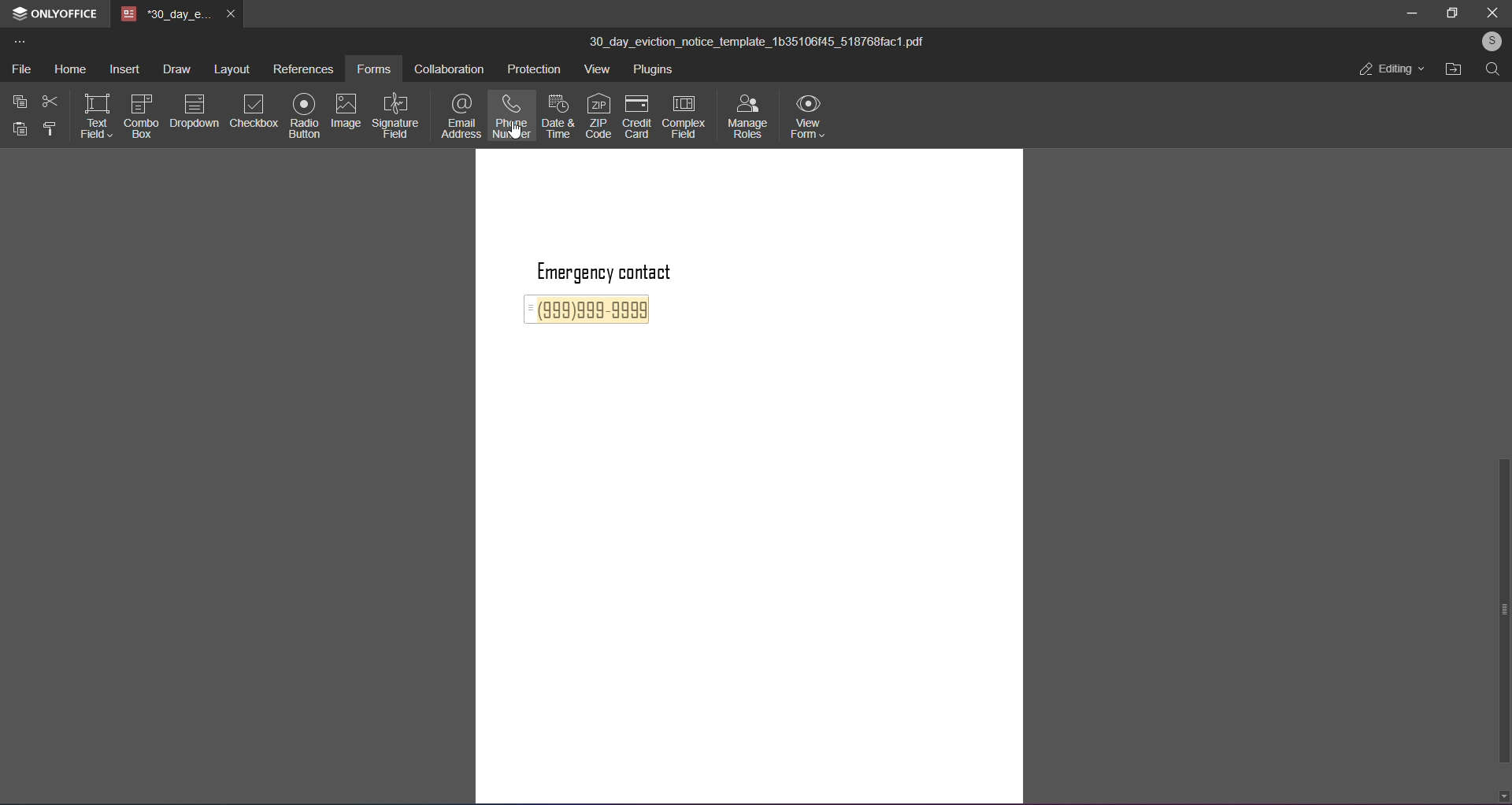 The height and width of the screenshot is (805, 1512). I want to click on user, so click(1490, 43).